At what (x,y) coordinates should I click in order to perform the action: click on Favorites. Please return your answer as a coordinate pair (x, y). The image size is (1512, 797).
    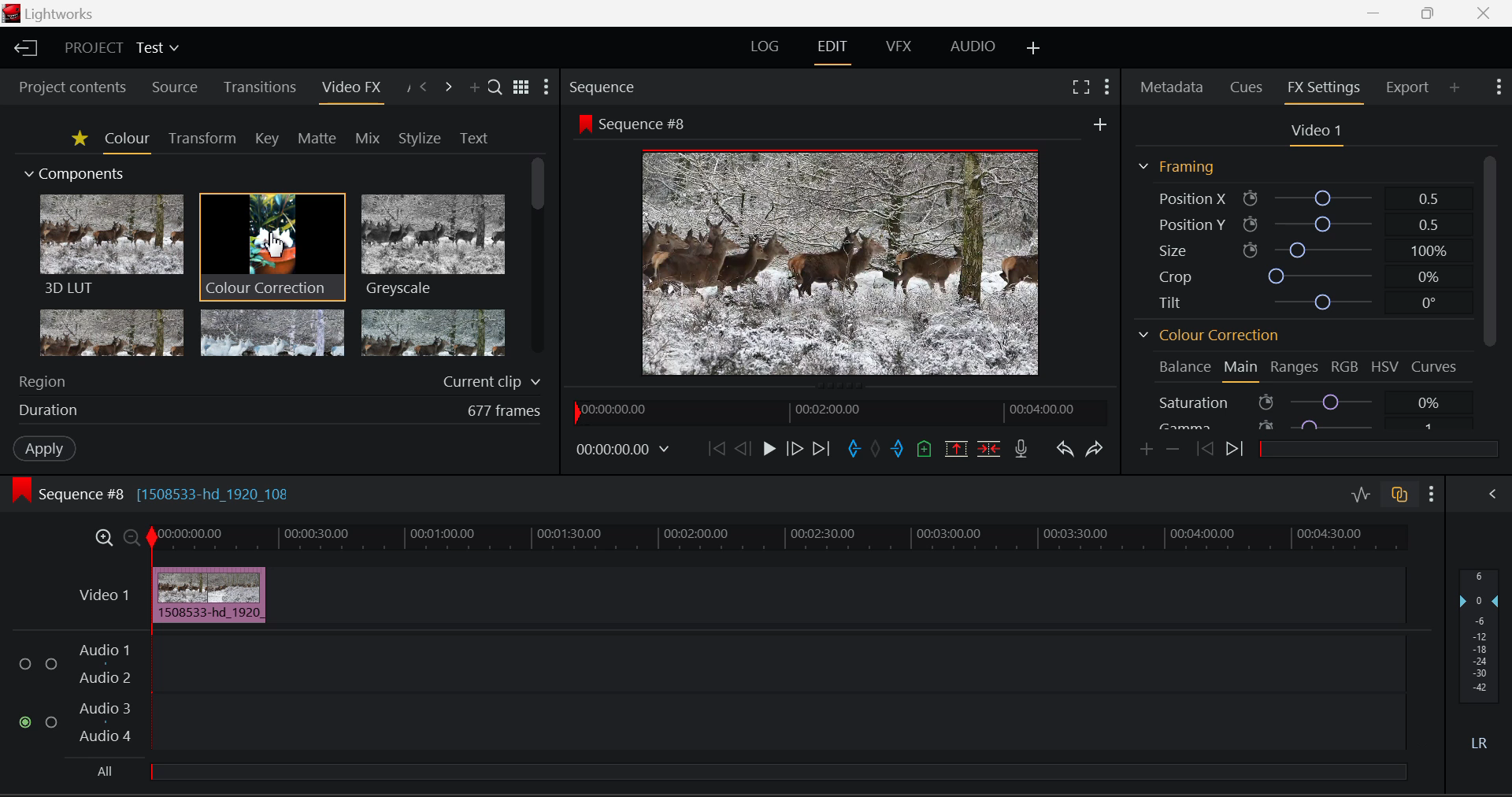
    Looking at the image, I should click on (77, 139).